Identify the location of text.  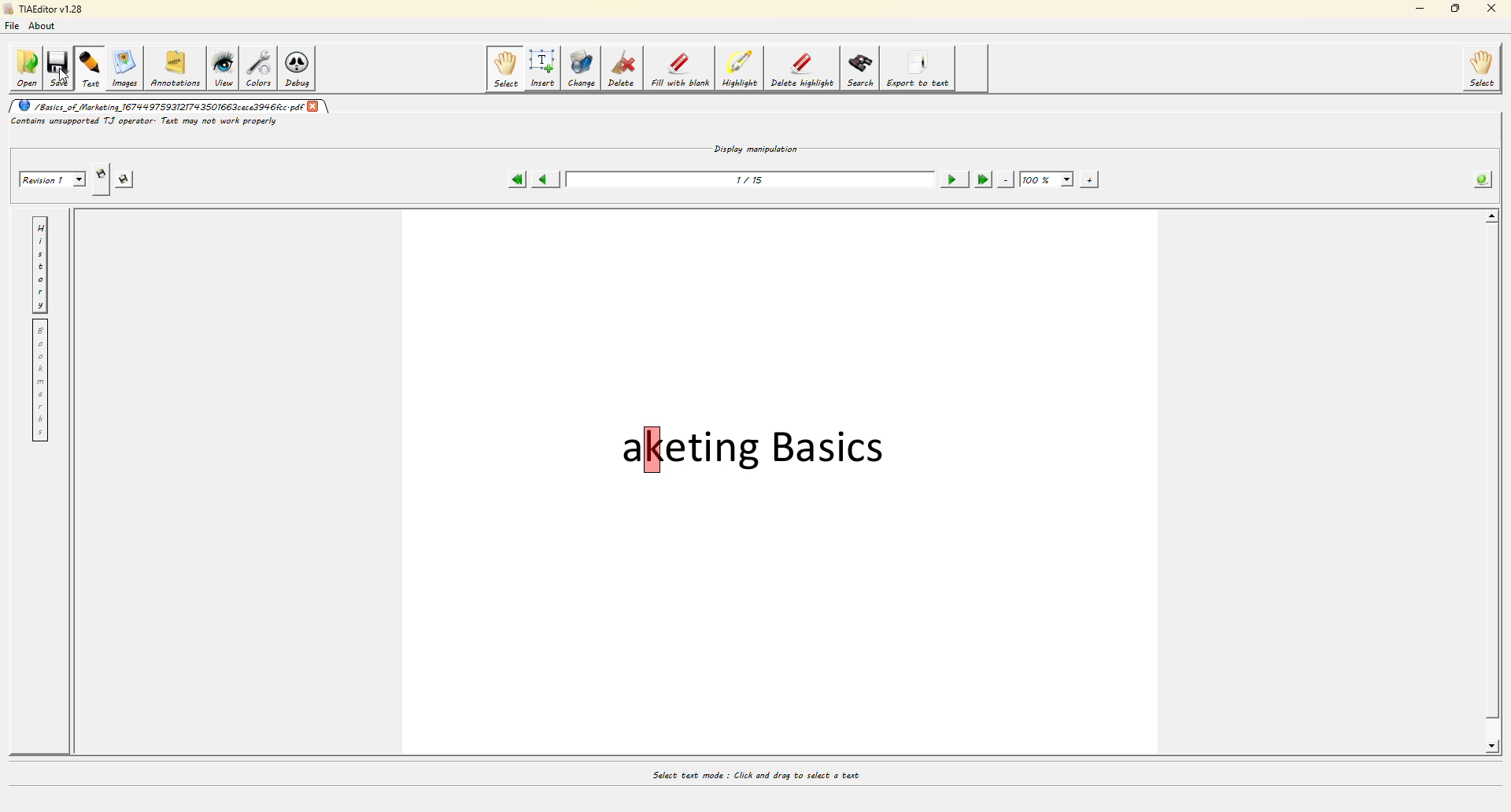
(91, 66).